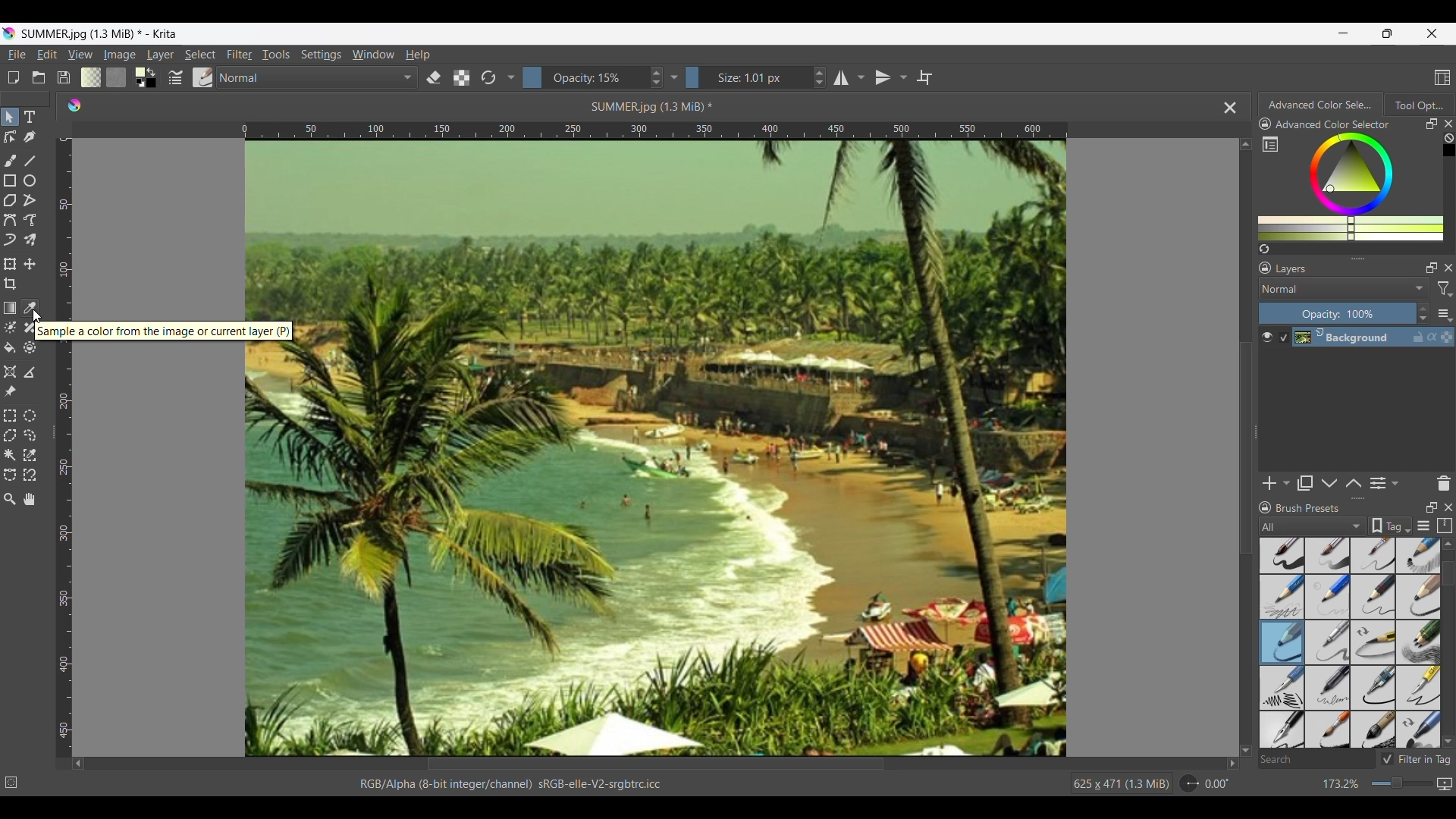 Image resolution: width=1456 pixels, height=819 pixels. I want to click on Opacity: 15%, so click(584, 77).